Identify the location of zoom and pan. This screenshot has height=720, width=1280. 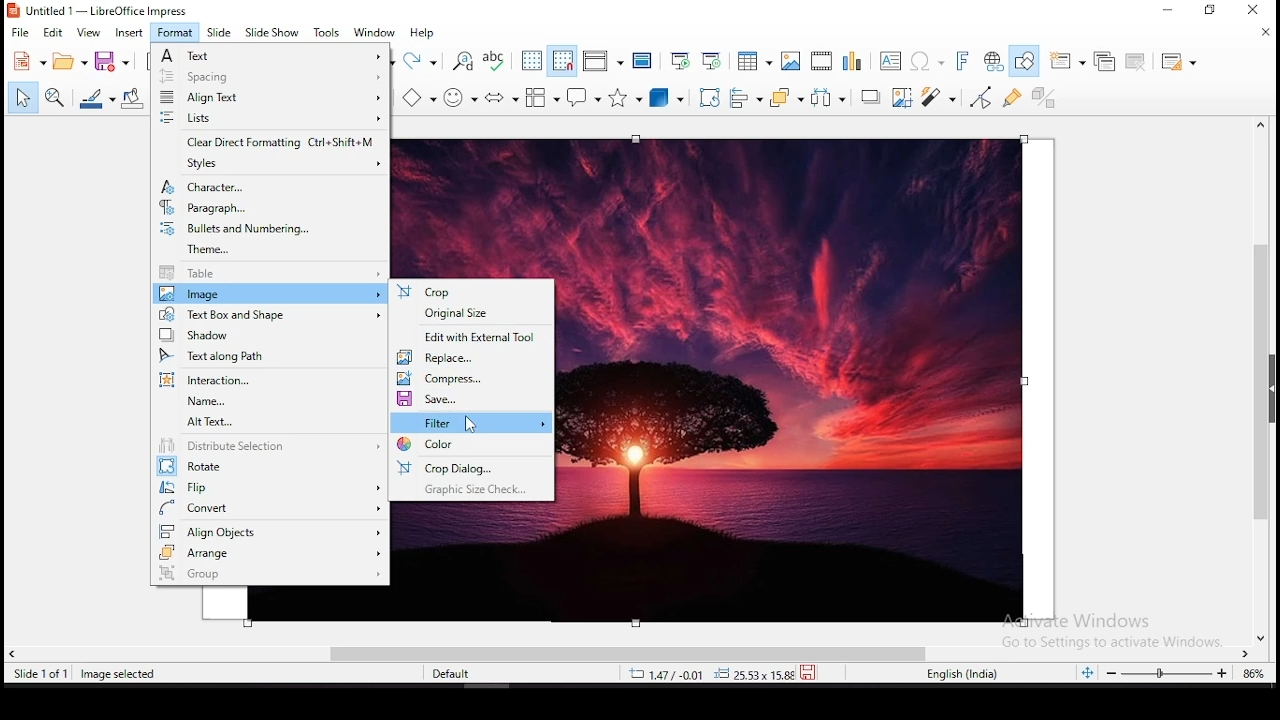
(53, 98).